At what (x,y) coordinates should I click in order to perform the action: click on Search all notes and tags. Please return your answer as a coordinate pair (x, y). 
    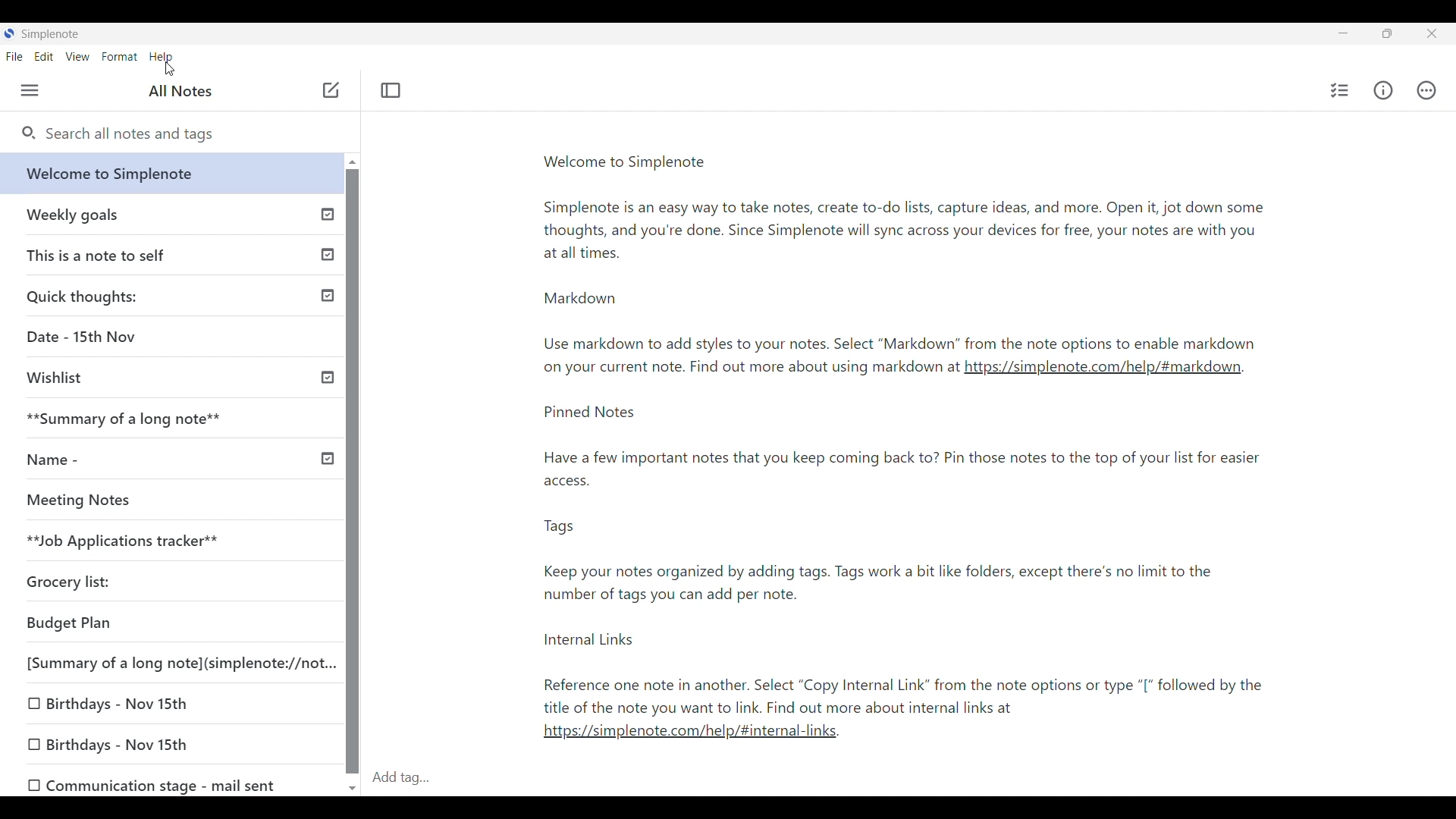
    Looking at the image, I should click on (179, 135).